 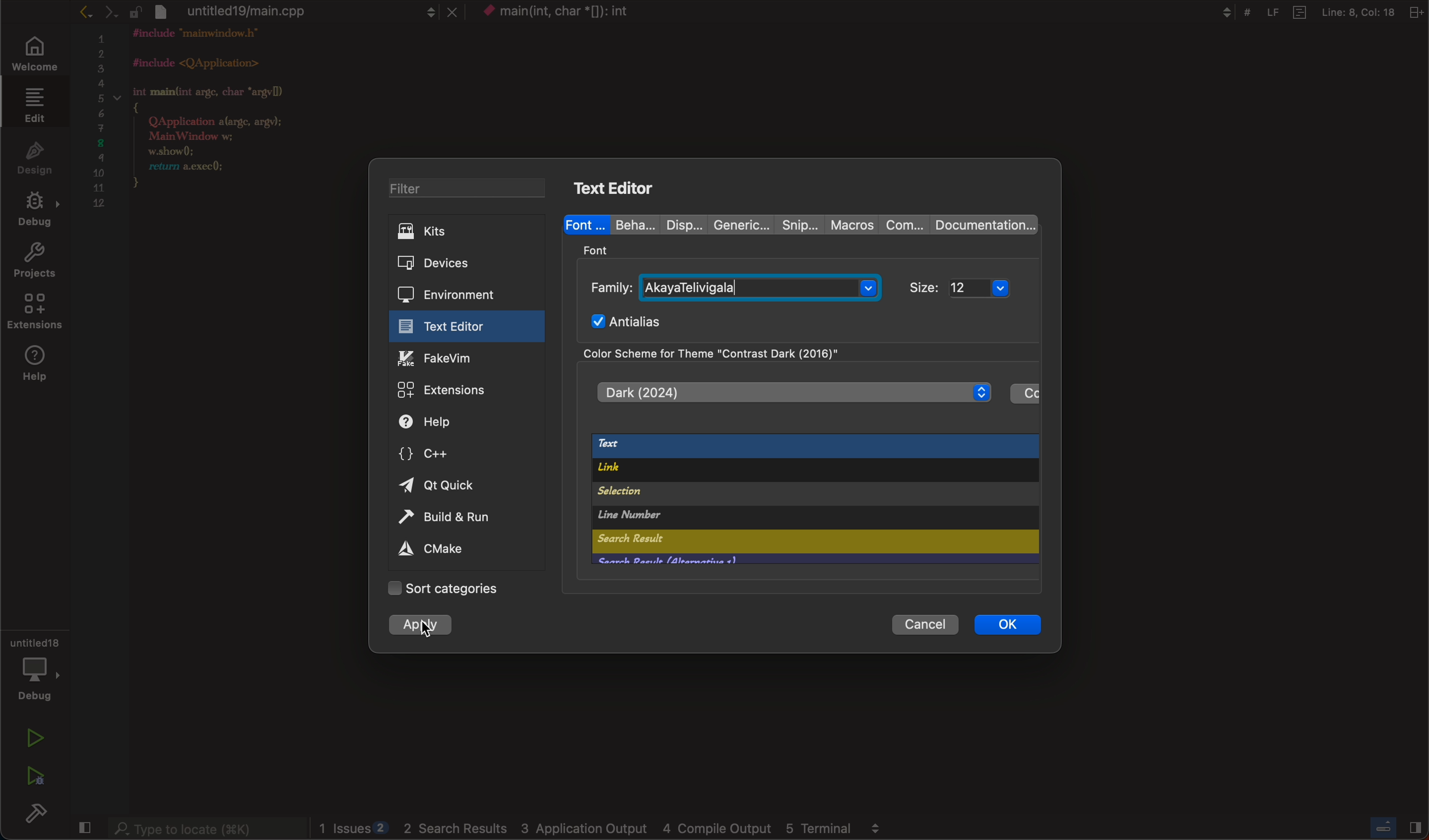 I want to click on cancel, so click(x=919, y=624).